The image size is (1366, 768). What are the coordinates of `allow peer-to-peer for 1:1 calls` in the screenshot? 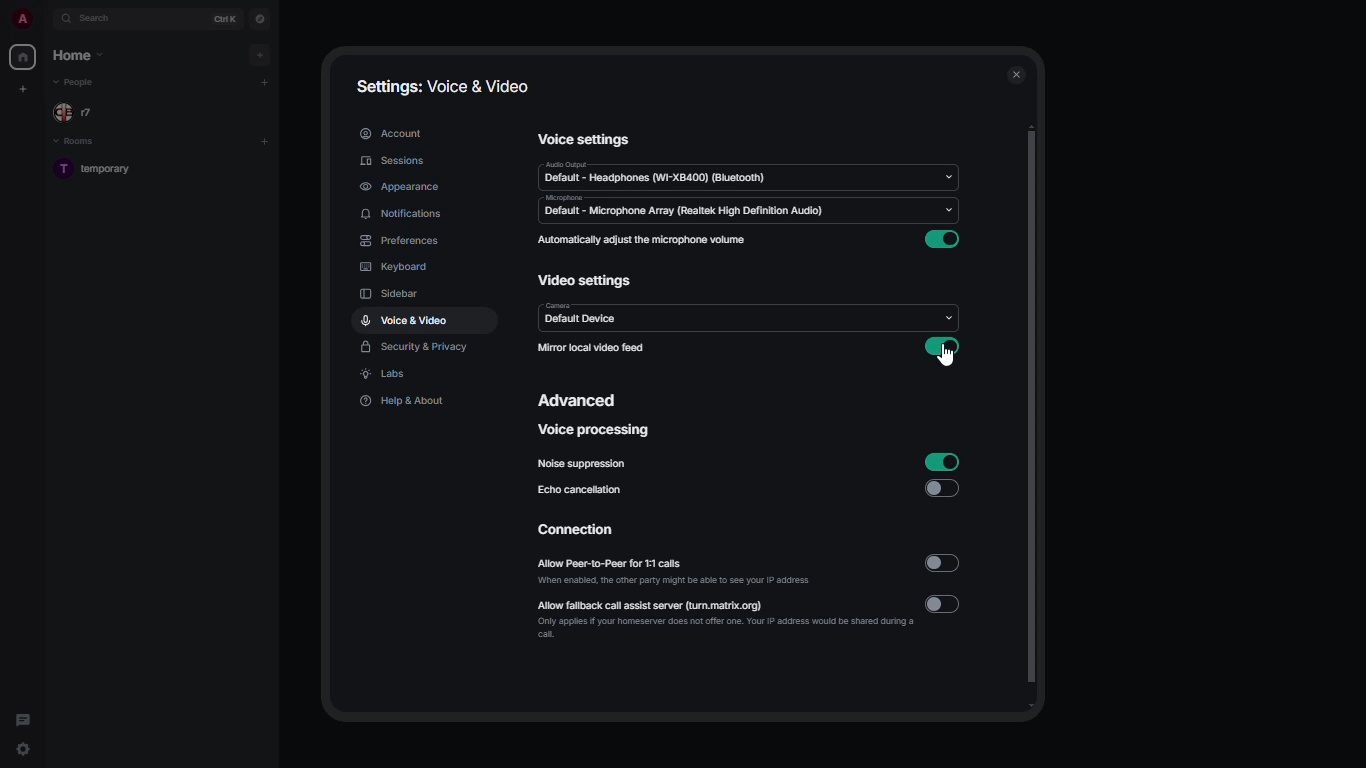 It's located at (677, 573).